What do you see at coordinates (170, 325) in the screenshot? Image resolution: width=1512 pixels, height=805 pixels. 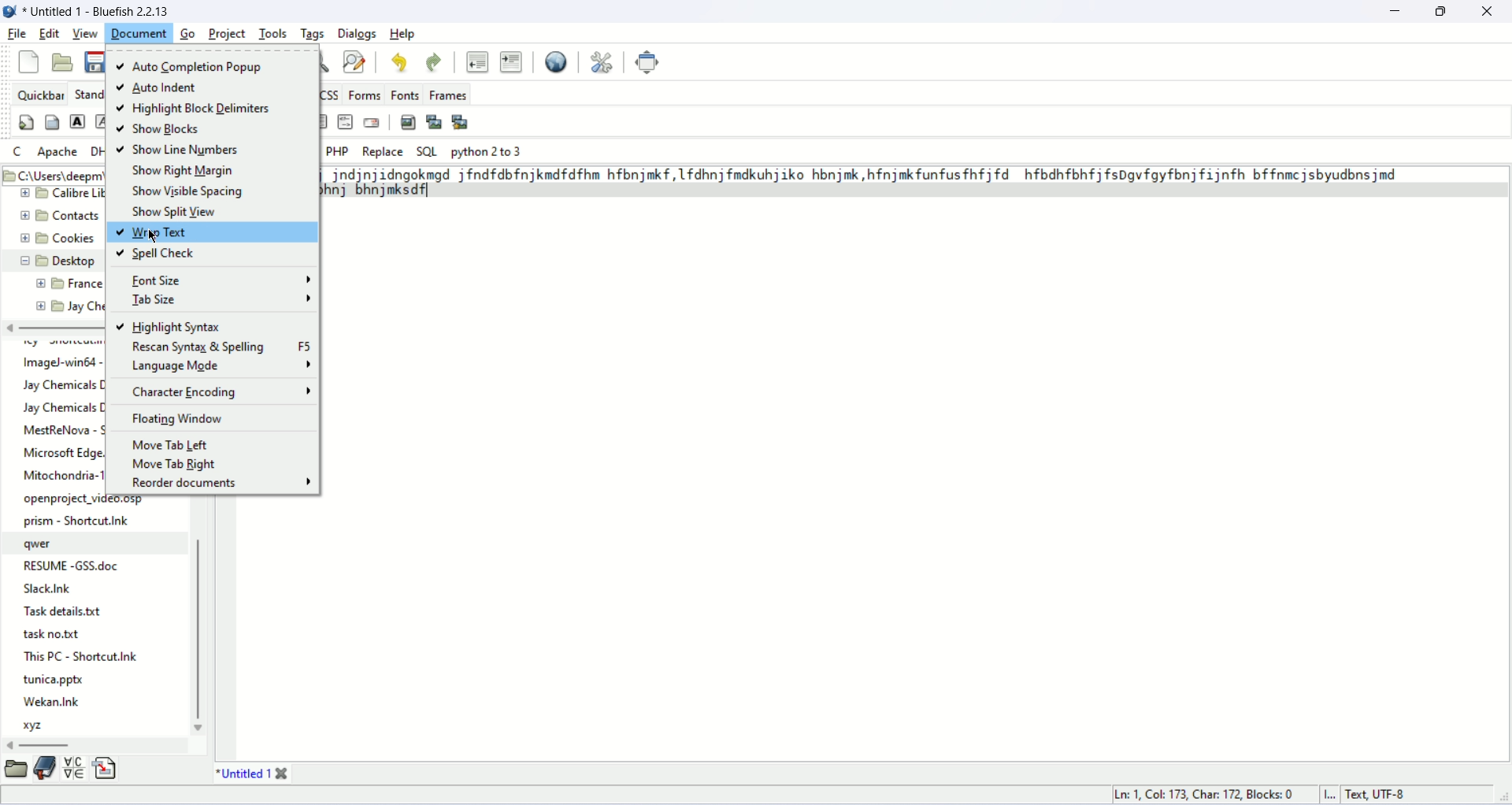 I see `highlight syntax` at bounding box center [170, 325].